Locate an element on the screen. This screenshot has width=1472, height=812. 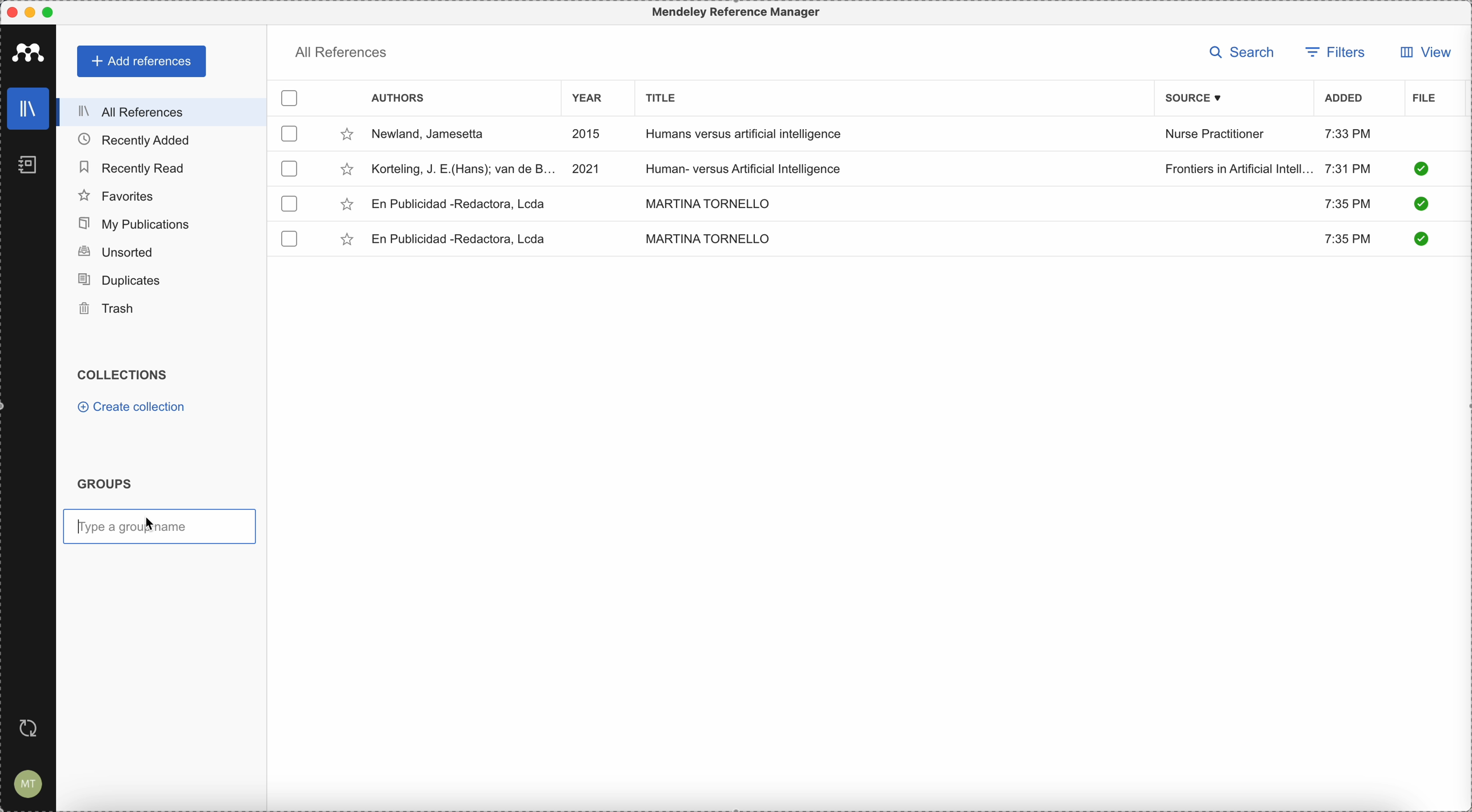
favorite is located at coordinates (347, 137).